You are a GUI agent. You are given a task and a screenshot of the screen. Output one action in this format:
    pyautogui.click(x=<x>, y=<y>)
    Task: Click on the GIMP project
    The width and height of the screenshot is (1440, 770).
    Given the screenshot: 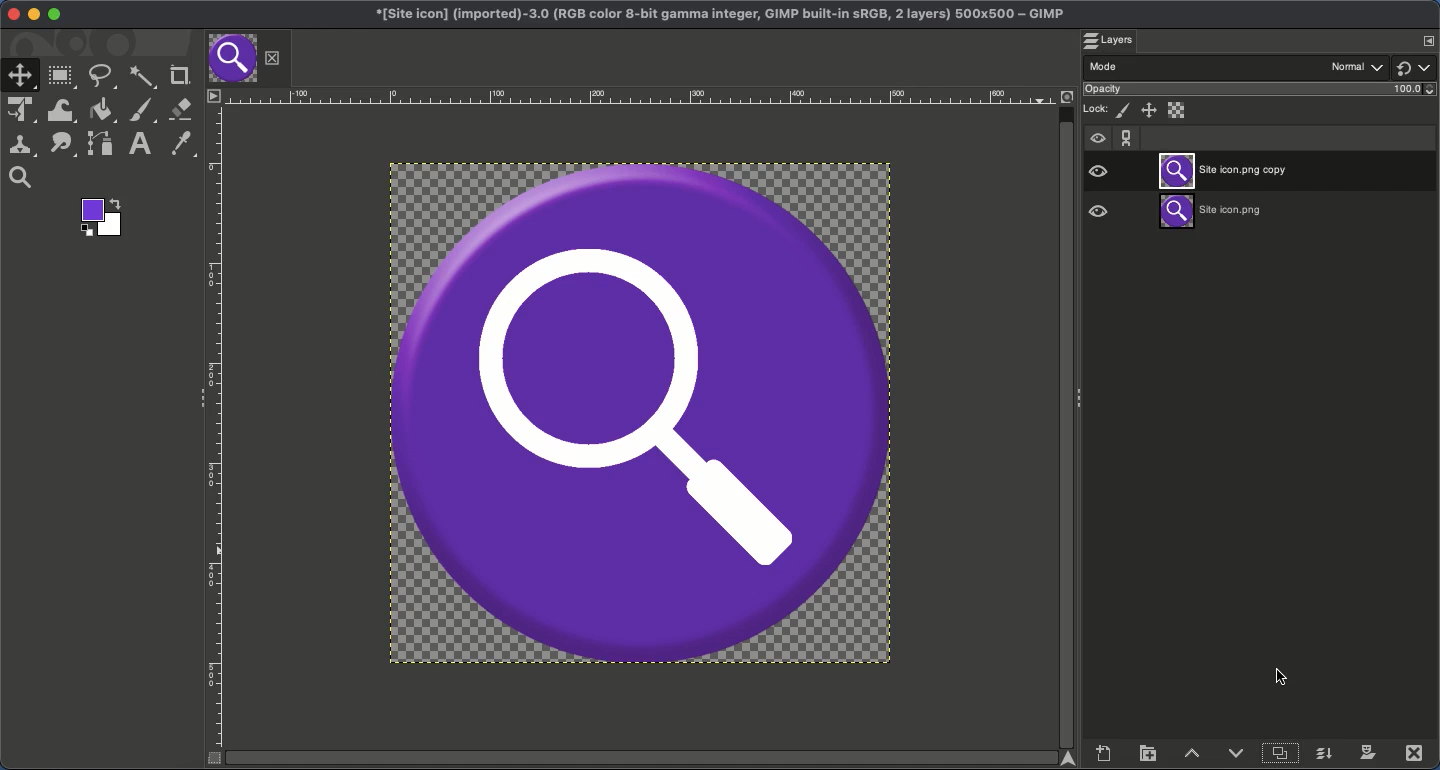 What is the action you would take?
    pyautogui.click(x=725, y=16)
    